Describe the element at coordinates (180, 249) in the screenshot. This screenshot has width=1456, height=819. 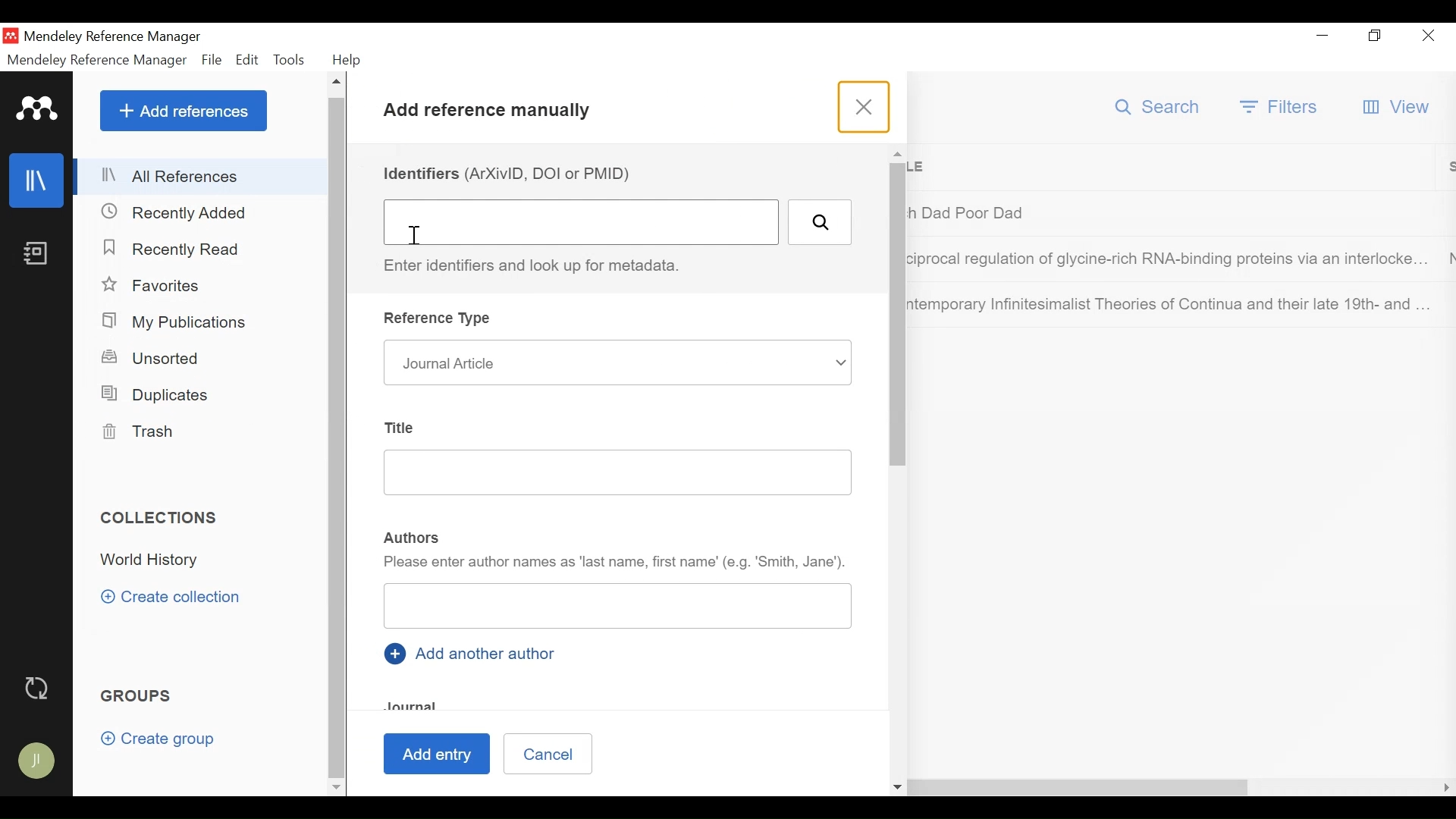
I see `Recently Read` at that location.